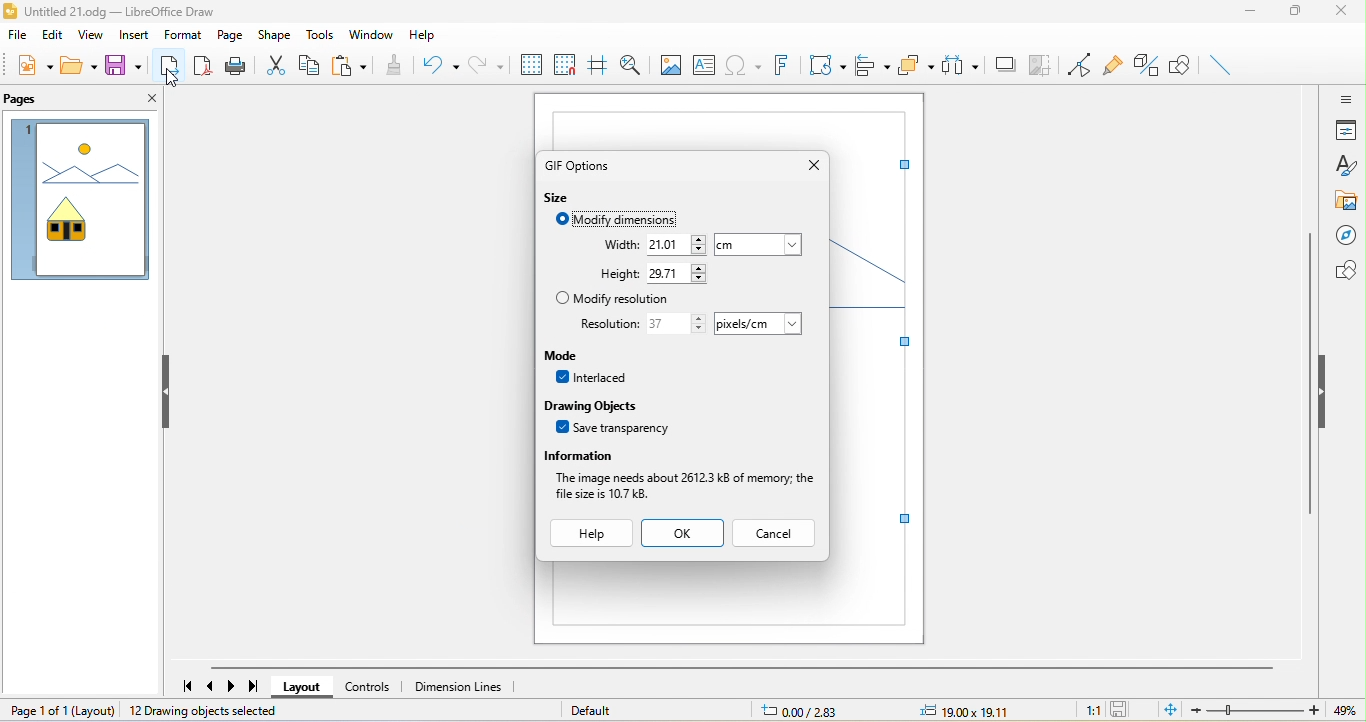  What do you see at coordinates (1005, 65) in the screenshot?
I see `shadow` at bounding box center [1005, 65].